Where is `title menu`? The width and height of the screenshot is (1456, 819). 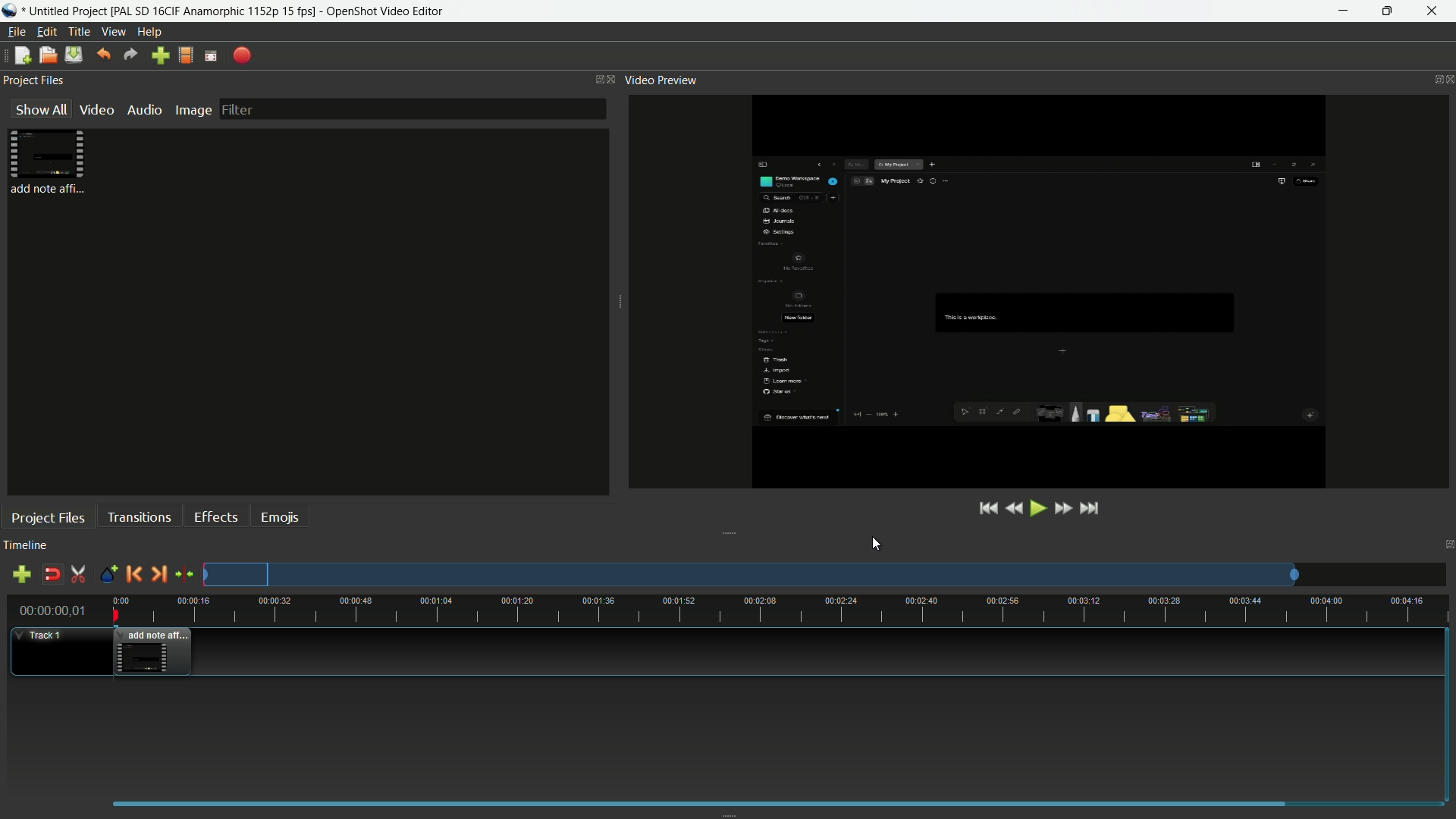
title menu is located at coordinates (80, 32).